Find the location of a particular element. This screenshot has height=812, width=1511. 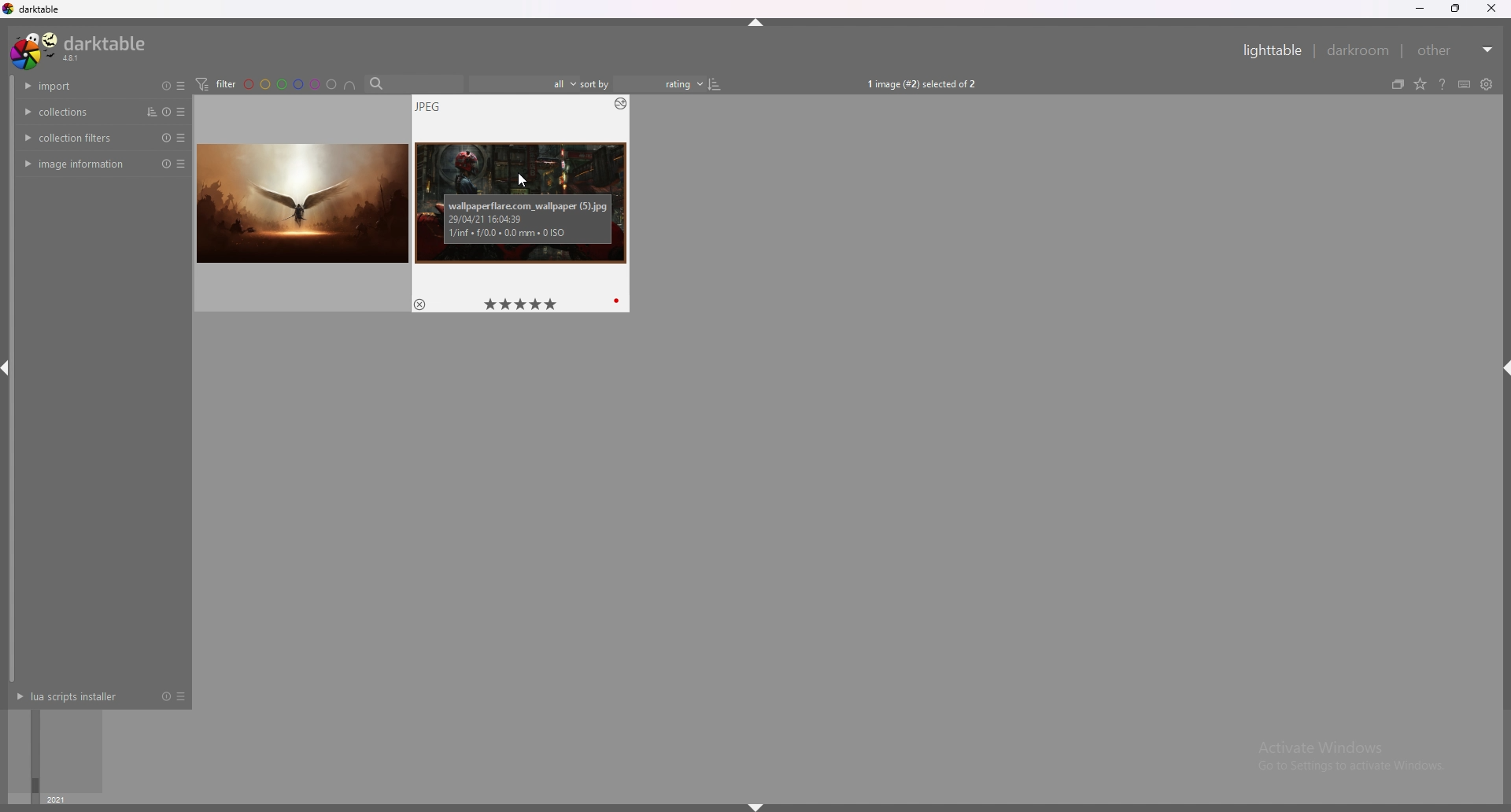

including color labels is located at coordinates (349, 86).